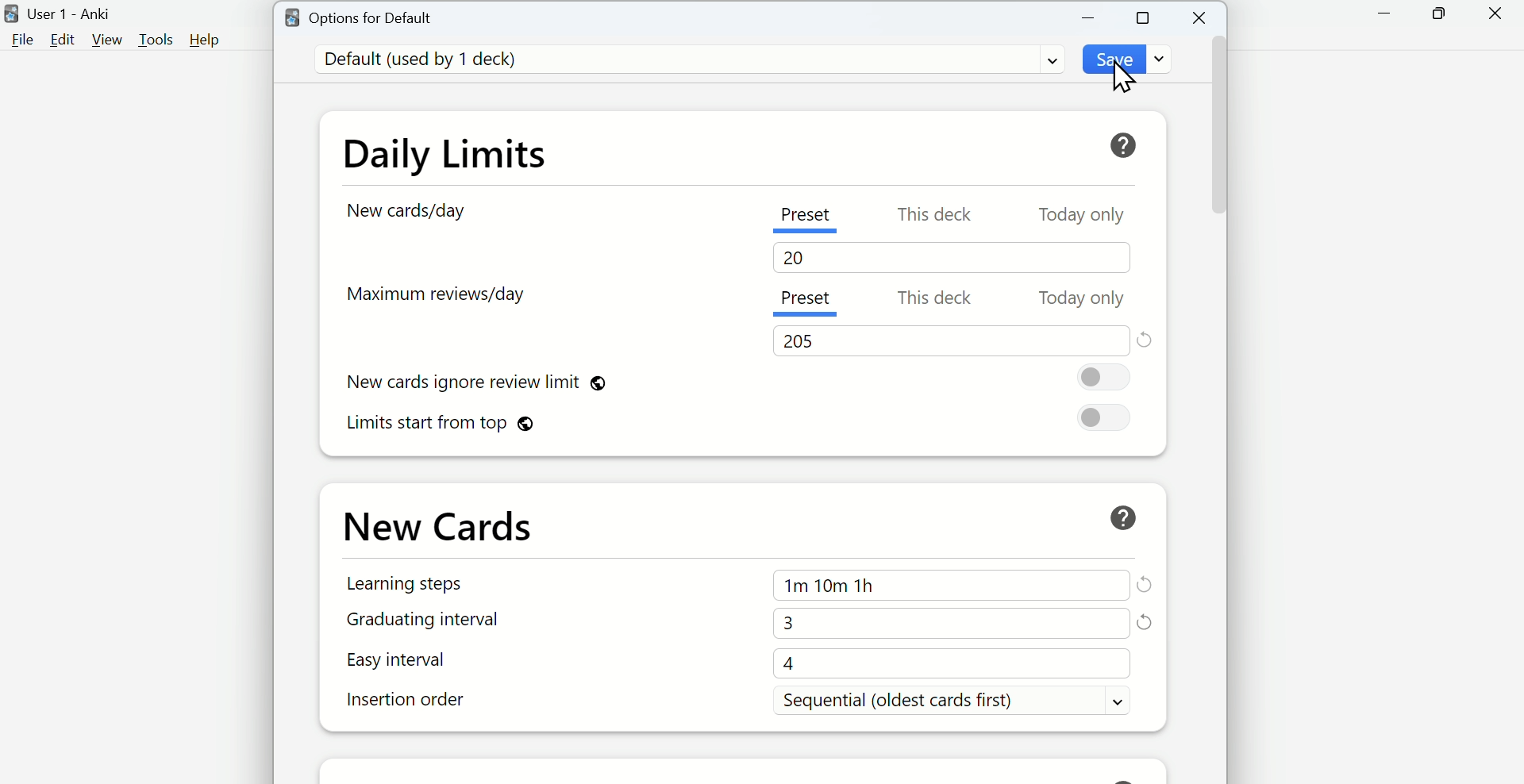  What do you see at coordinates (1439, 18) in the screenshot?
I see `Maximize` at bounding box center [1439, 18].